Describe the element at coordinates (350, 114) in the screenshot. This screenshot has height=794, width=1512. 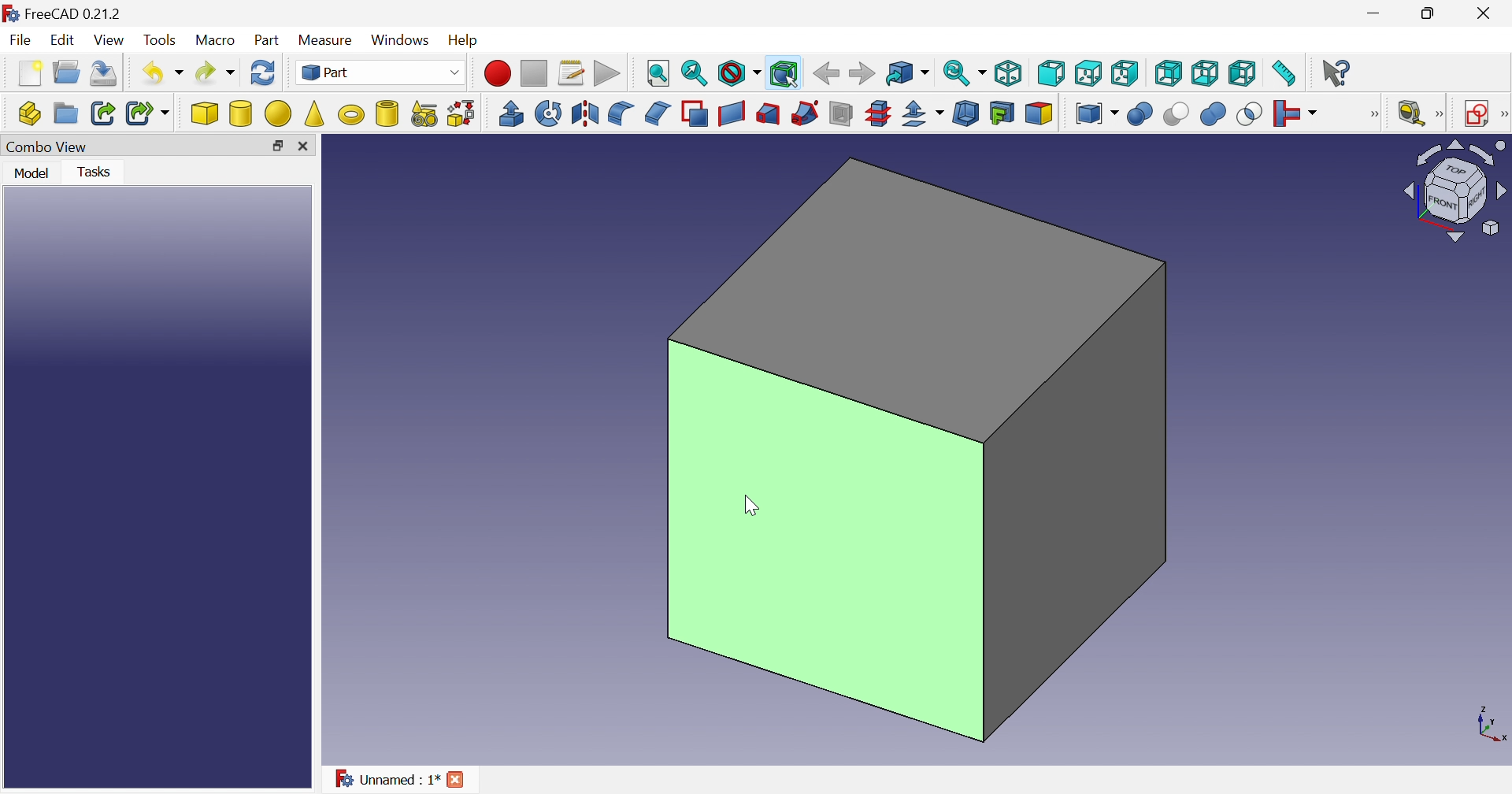
I see `Torus` at that location.